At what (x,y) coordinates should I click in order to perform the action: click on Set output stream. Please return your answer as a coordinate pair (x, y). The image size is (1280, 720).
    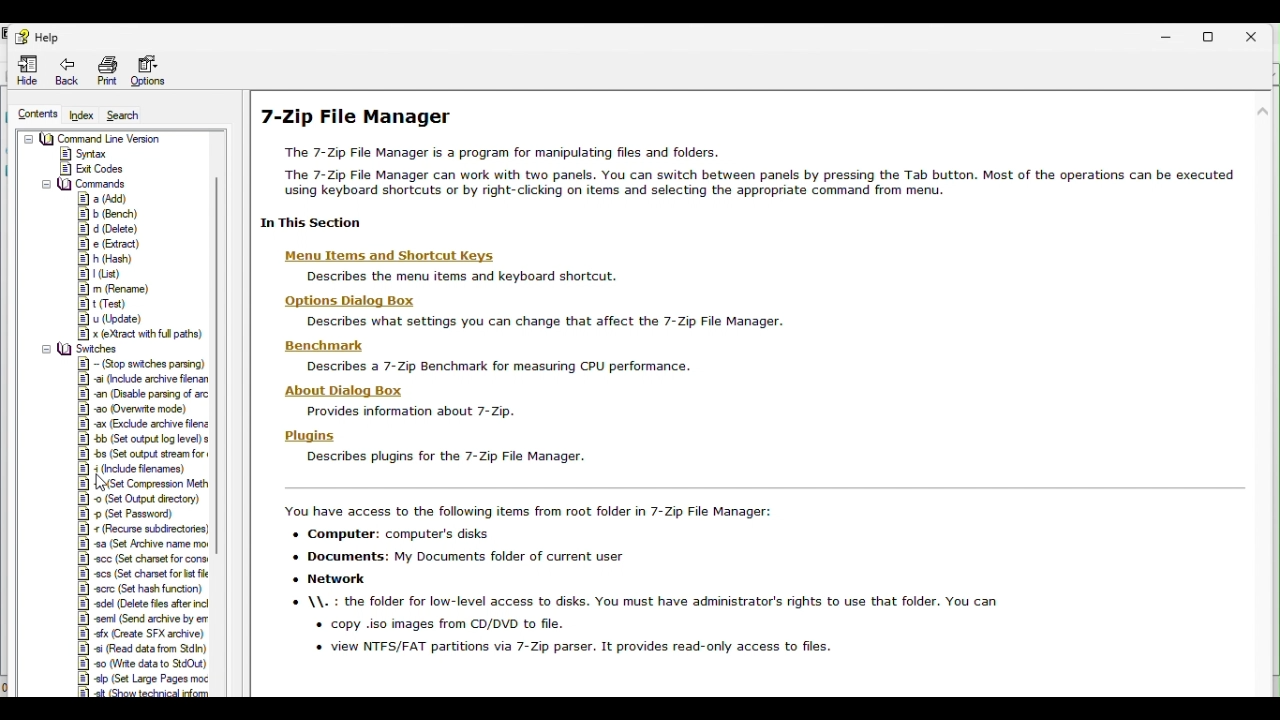
    Looking at the image, I should click on (143, 454).